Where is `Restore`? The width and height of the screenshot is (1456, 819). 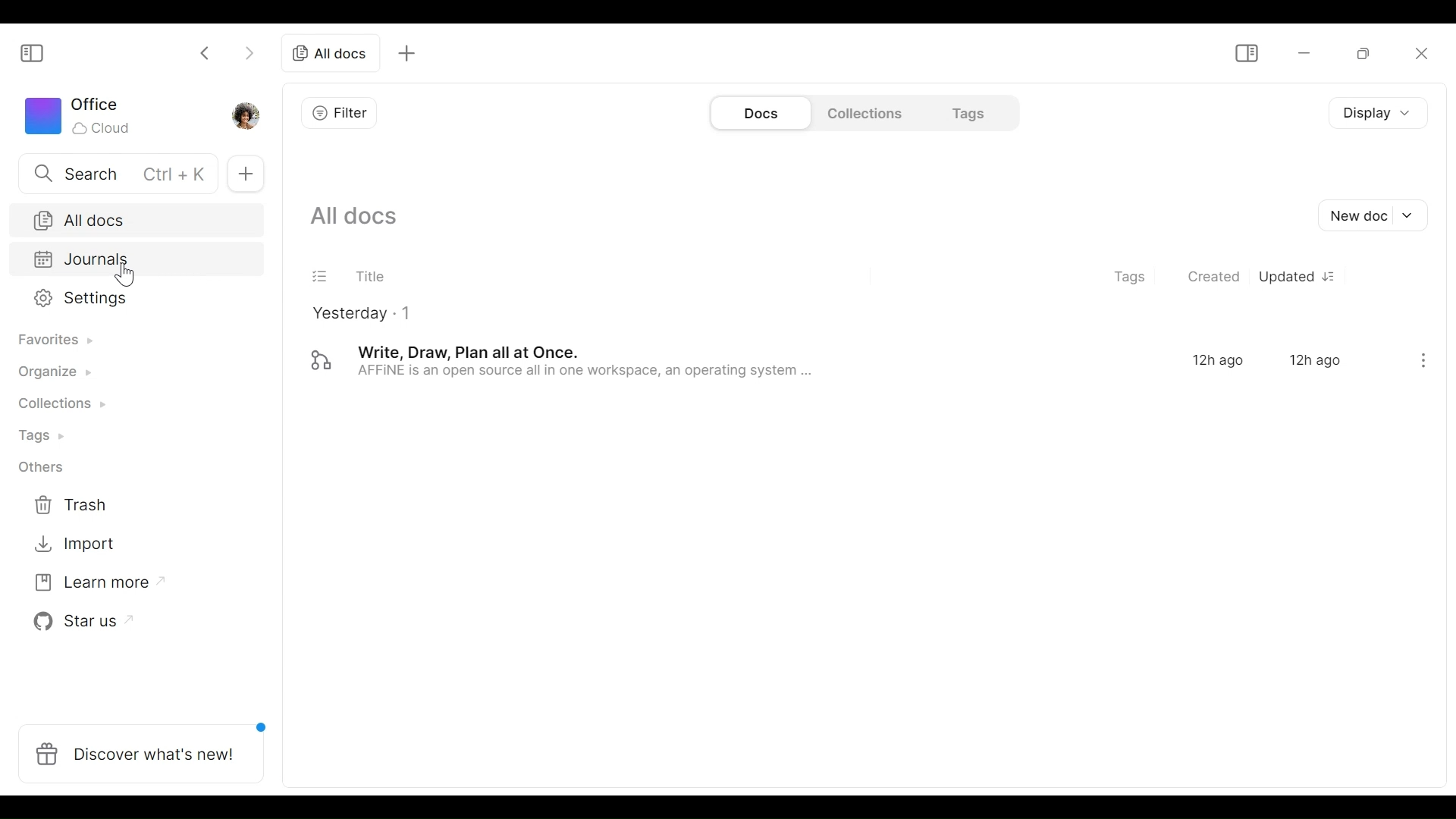
Restore is located at coordinates (1369, 52).